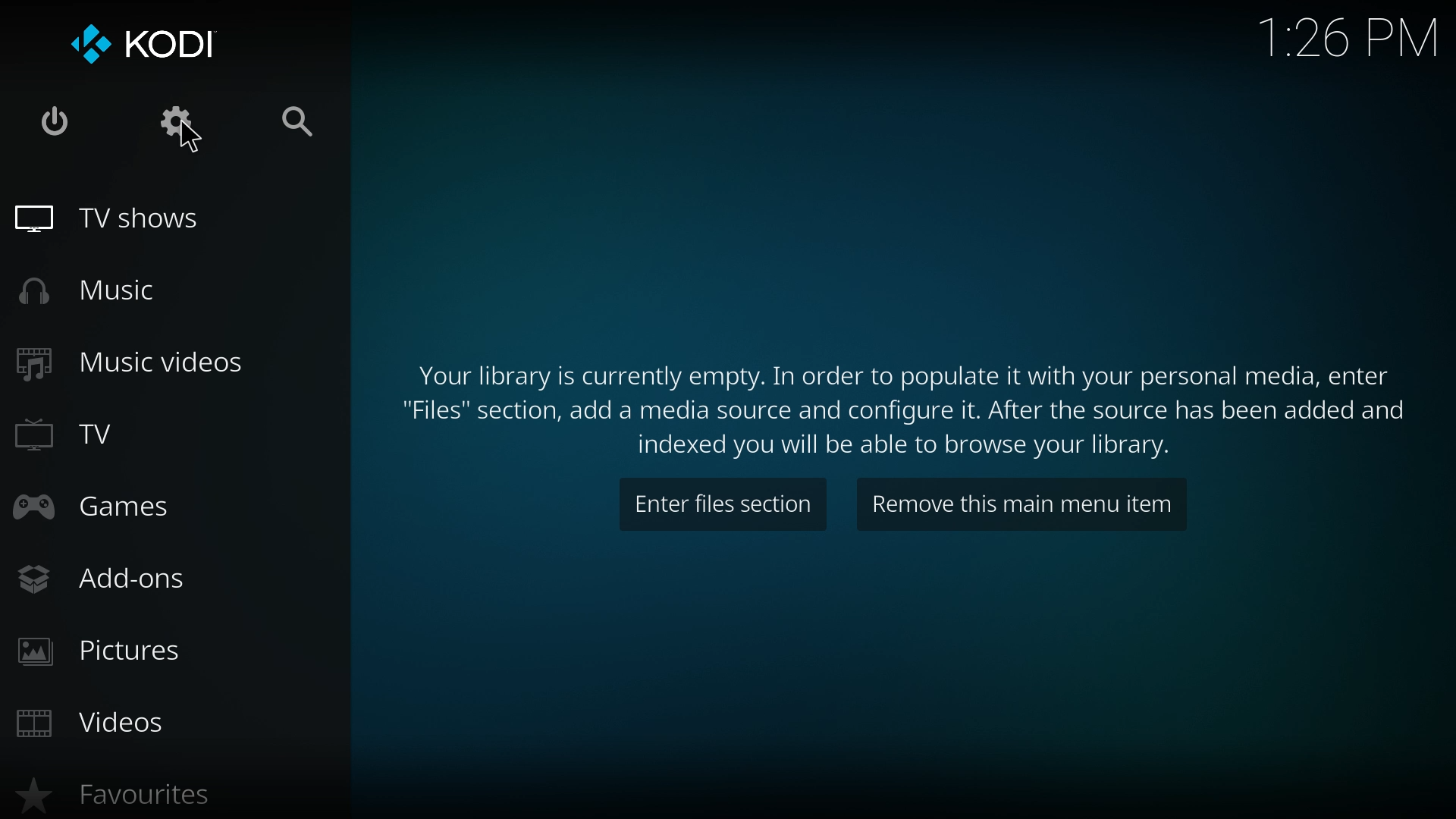  What do you see at coordinates (903, 407) in the screenshot?
I see `info` at bounding box center [903, 407].